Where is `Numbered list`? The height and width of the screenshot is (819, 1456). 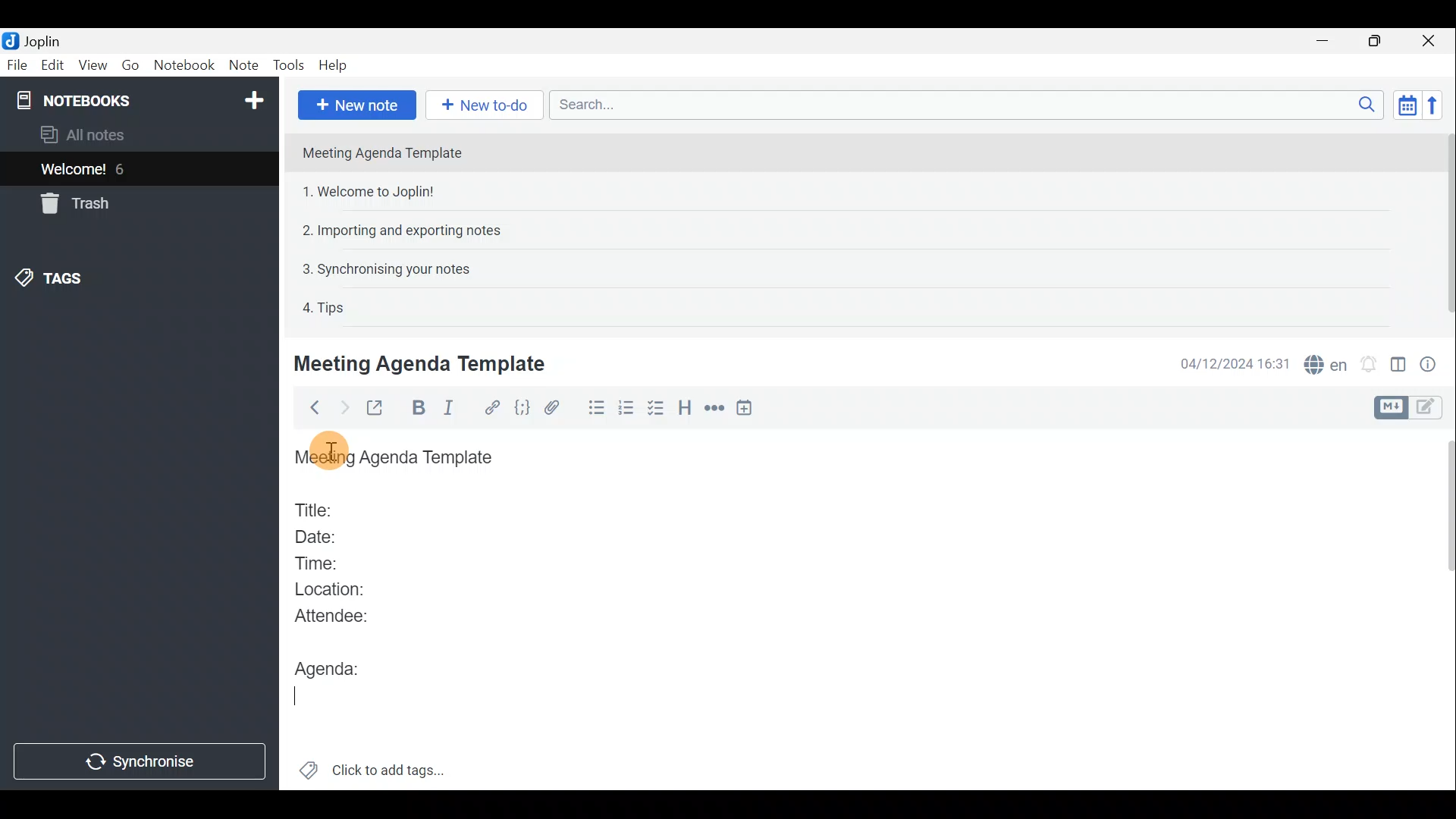 Numbered list is located at coordinates (626, 410).